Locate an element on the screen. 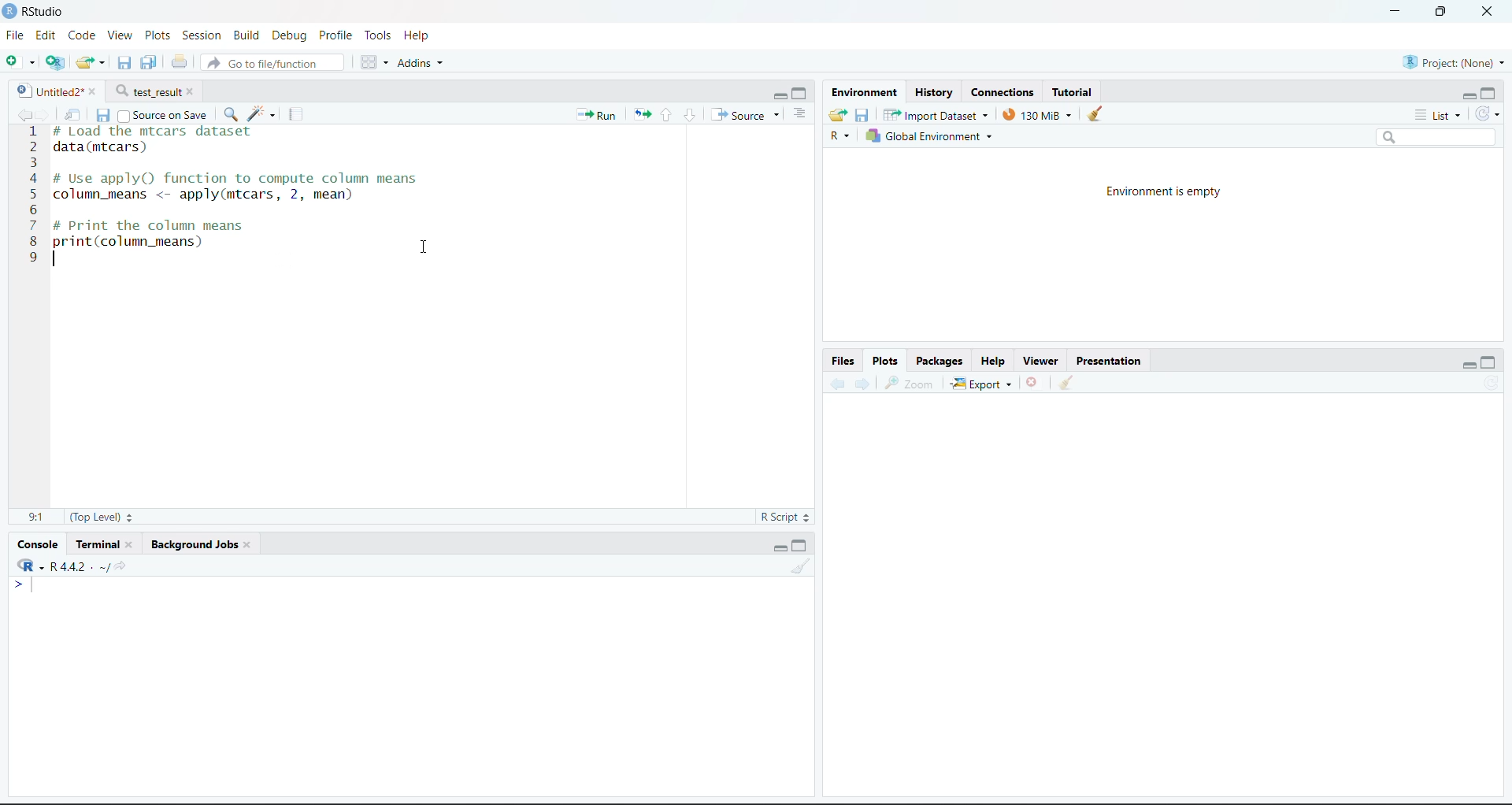 The image size is (1512, 805). Packages is located at coordinates (939, 358).